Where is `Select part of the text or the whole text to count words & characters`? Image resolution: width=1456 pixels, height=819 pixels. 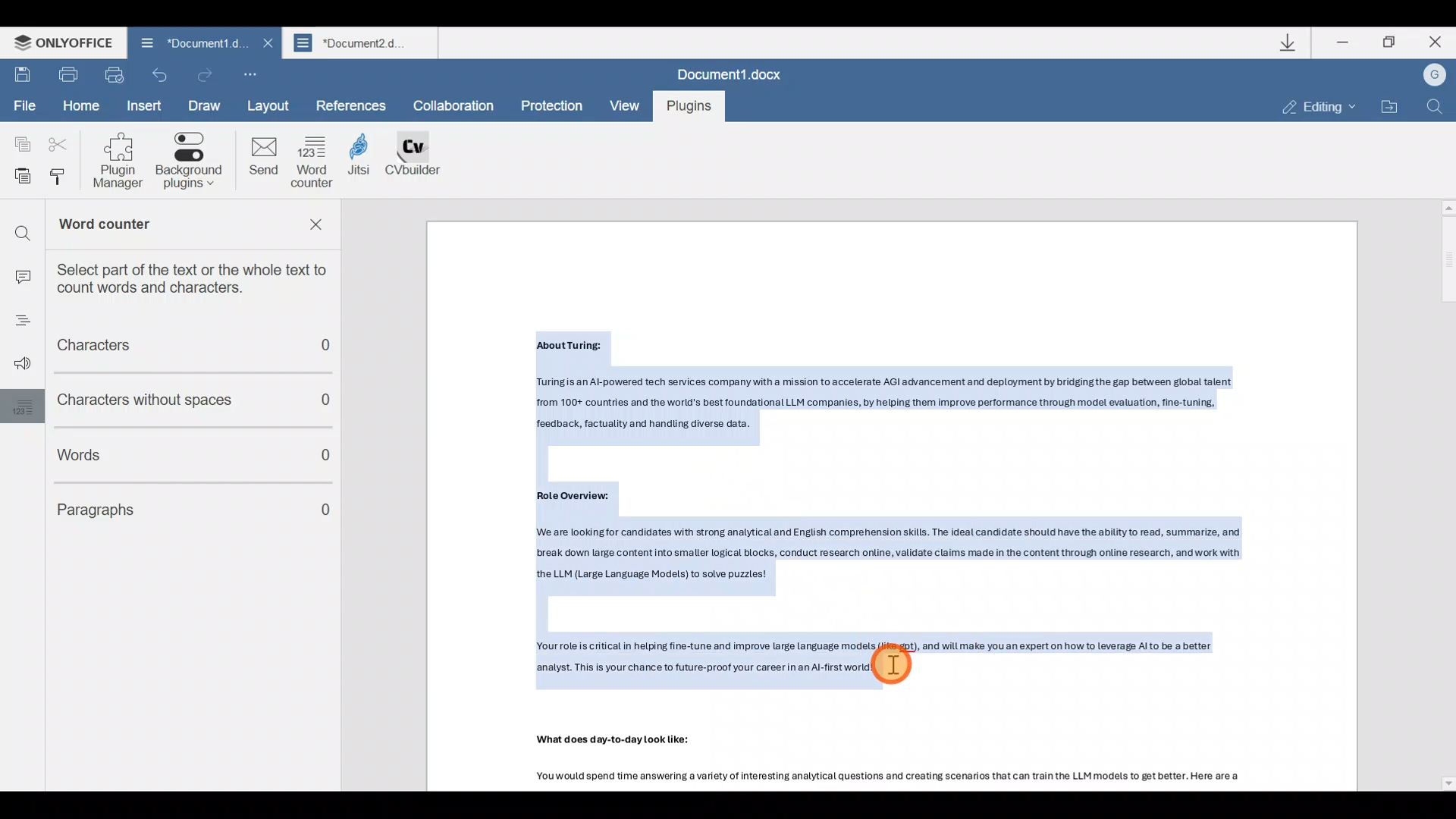 Select part of the text or the whole text to count words & characters is located at coordinates (202, 278).